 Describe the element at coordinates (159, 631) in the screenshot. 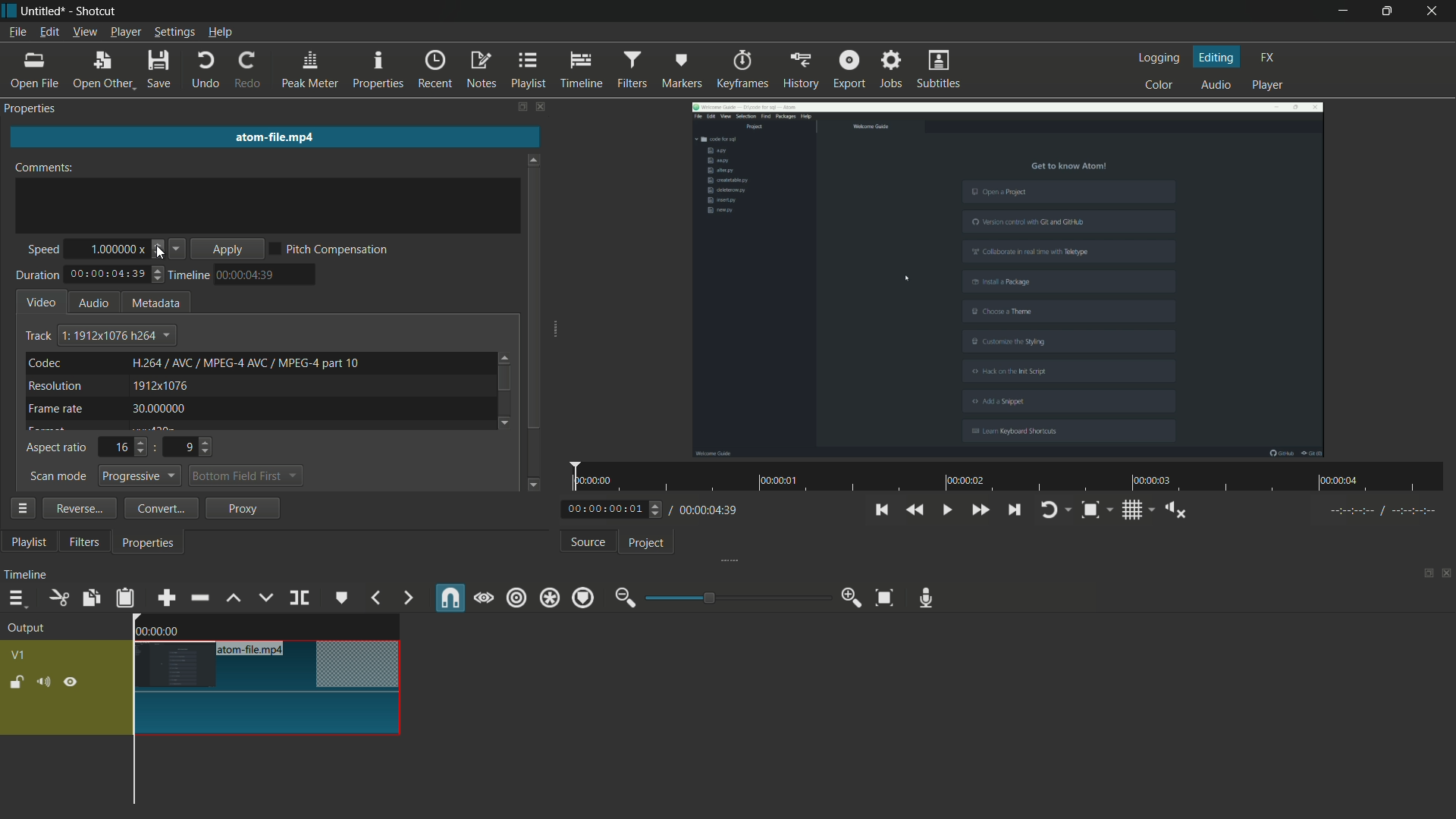

I see `time` at that location.